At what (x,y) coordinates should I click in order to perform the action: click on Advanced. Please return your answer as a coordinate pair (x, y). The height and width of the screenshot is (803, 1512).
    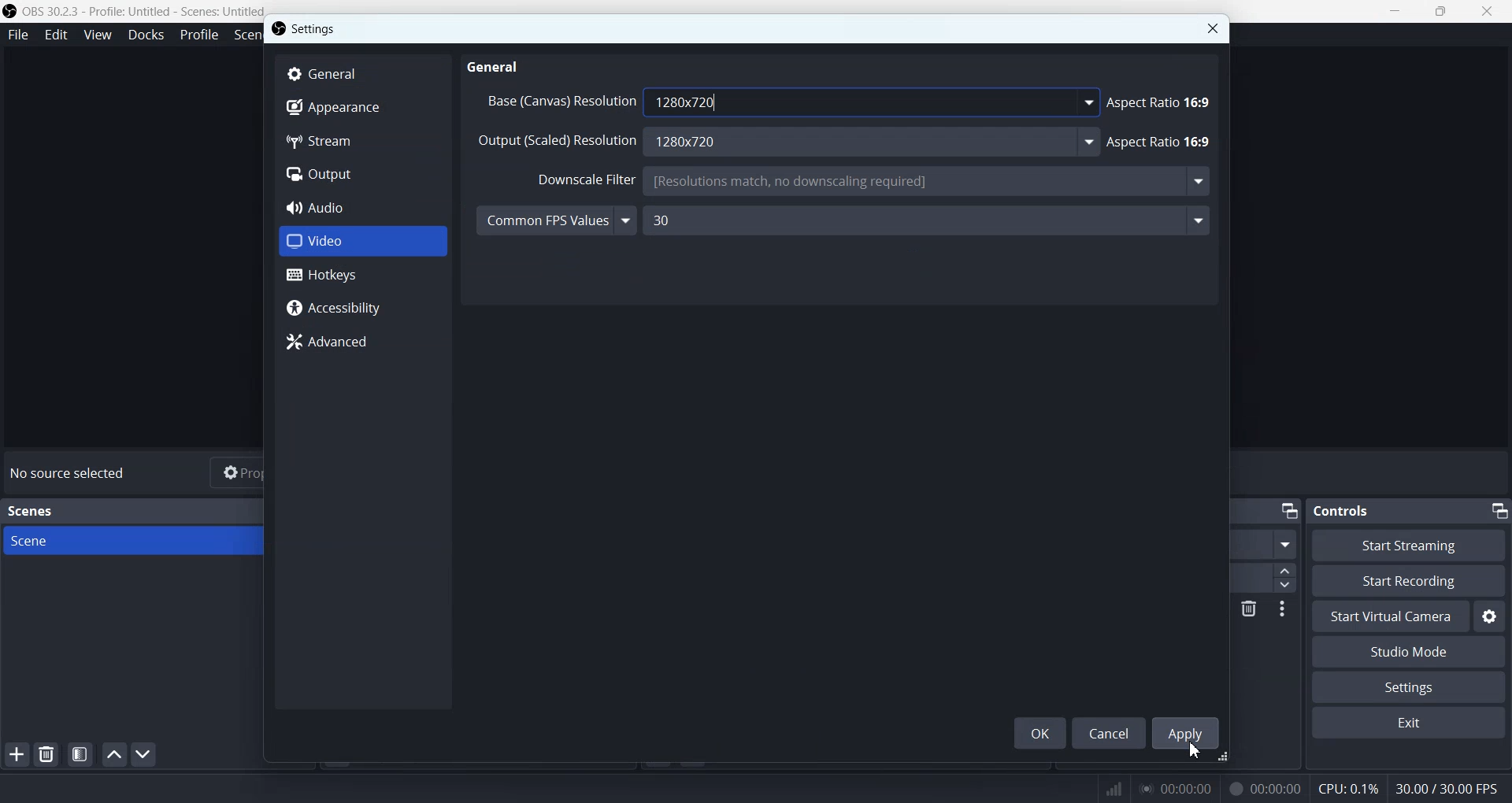
    Looking at the image, I should click on (364, 343).